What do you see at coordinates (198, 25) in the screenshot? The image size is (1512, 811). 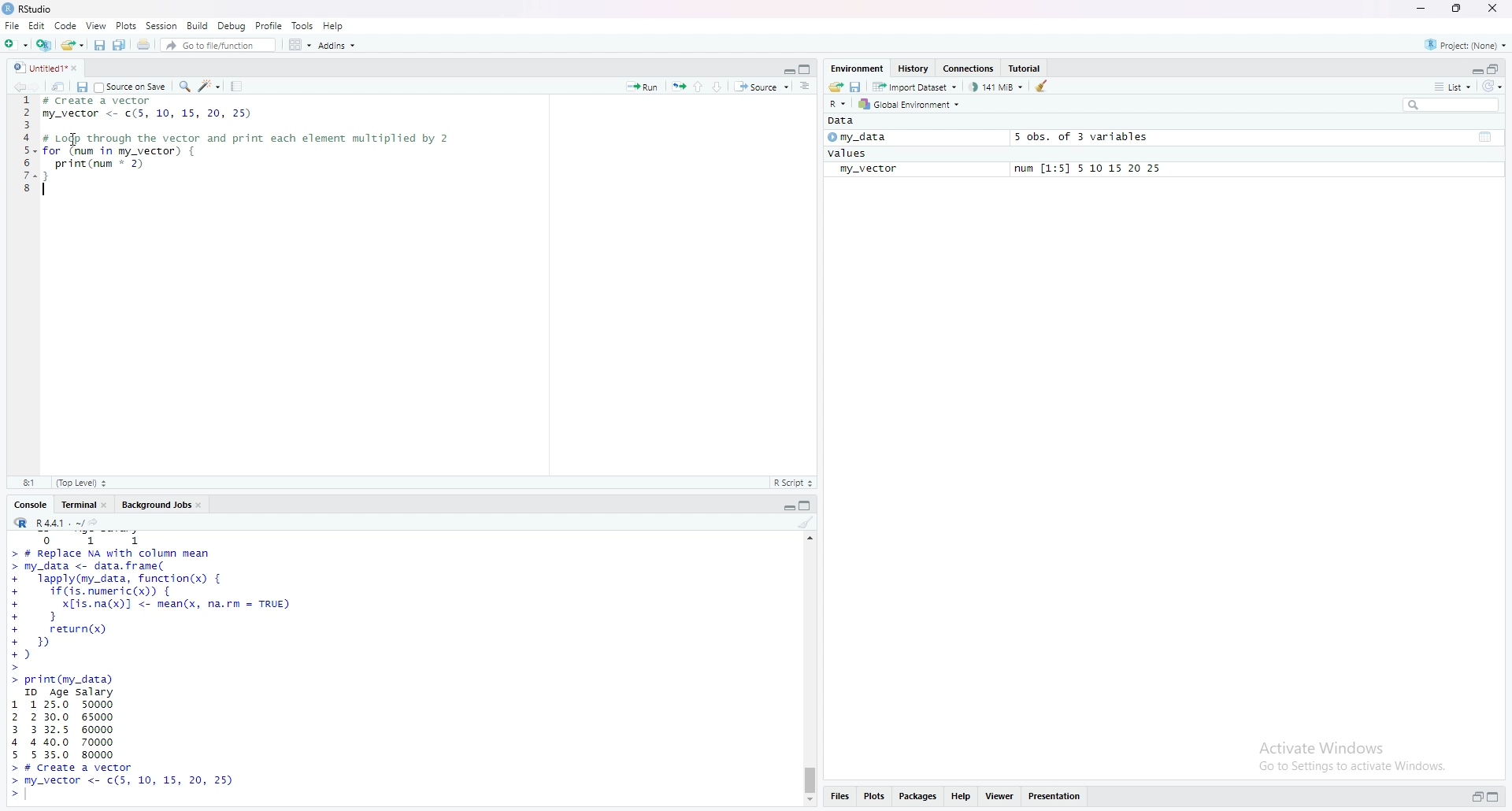 I see `build` at bounding box center [198, 25].